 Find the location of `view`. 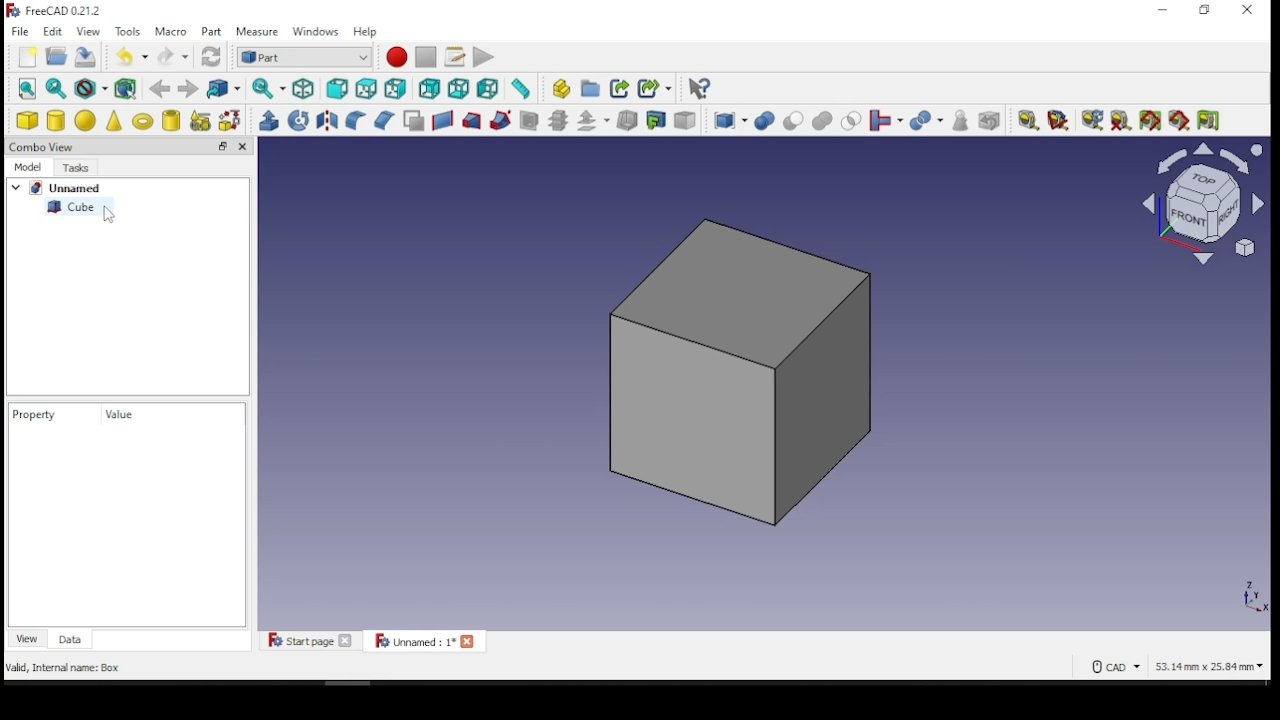

view is located at coordinates (28, 638).